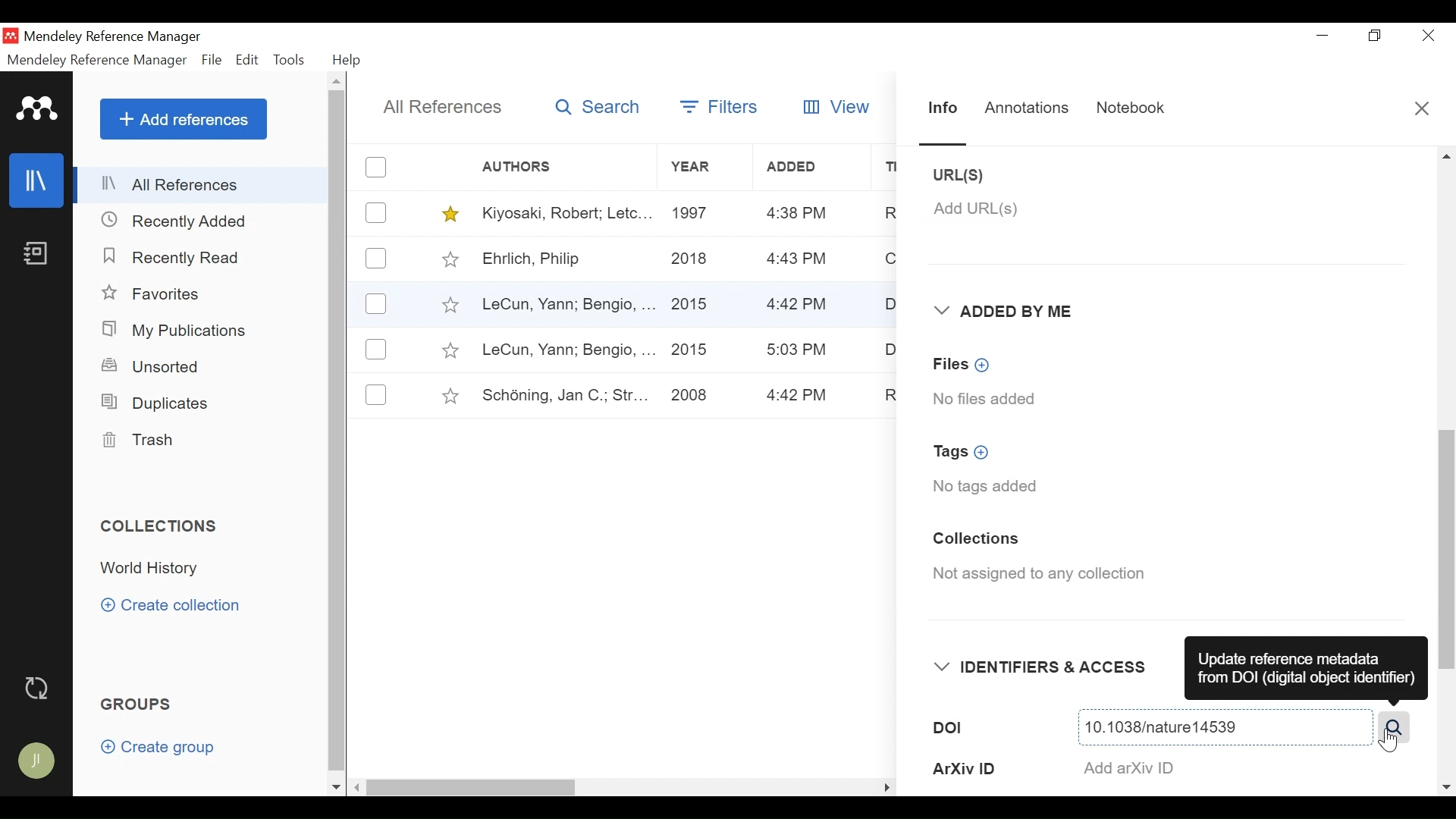 Image resolution: width=1456 pixels, height=819 pixels. What do you see at coordinates (567, 350) in the screenshot?
I see `LeCun, Yann; Bengio` at bounding box center [567, 350].